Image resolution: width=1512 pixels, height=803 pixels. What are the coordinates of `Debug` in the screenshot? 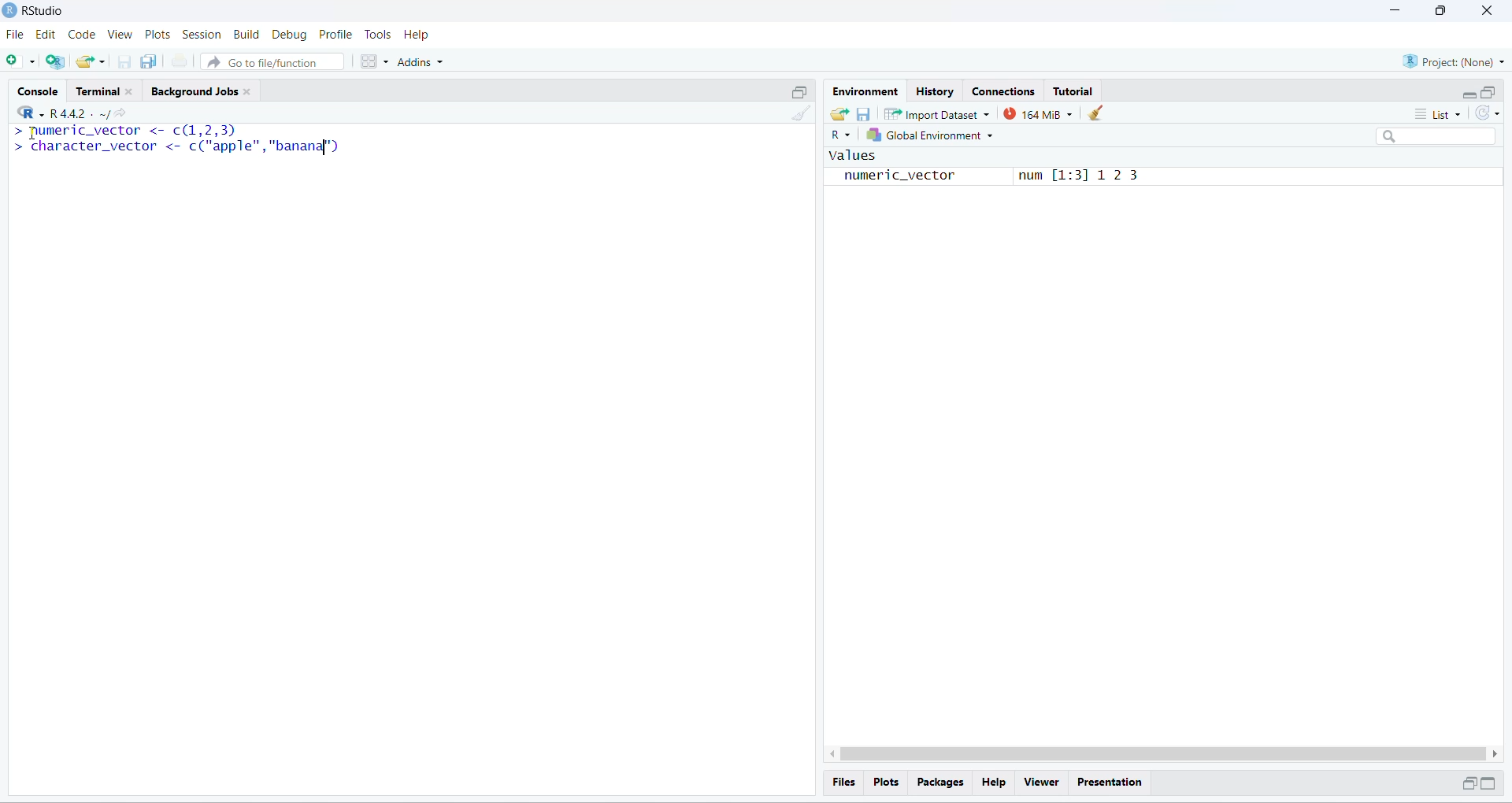 It's located at (290, 35).